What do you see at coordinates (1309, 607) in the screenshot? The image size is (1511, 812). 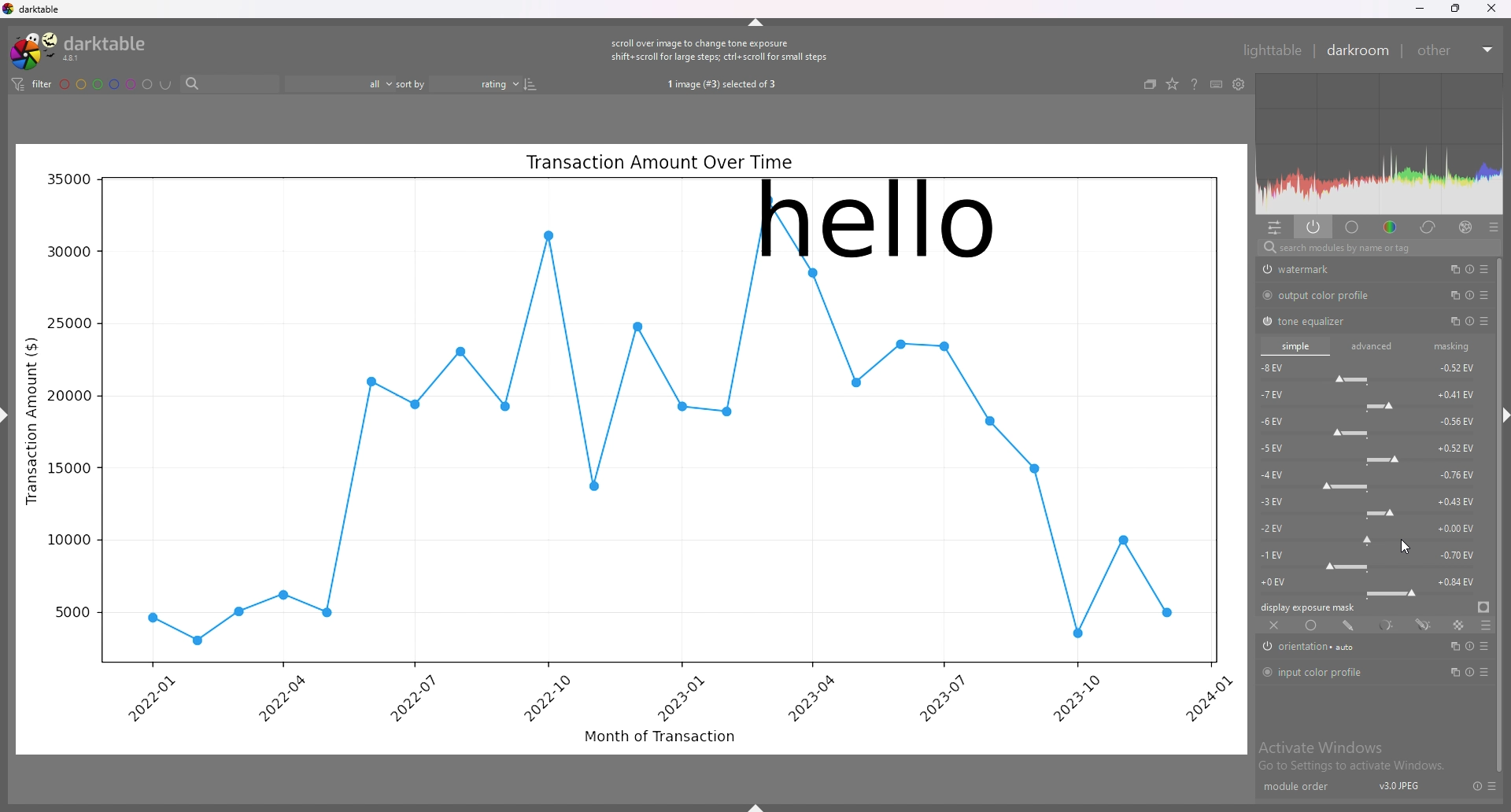 I see `display exposure mask` at bounding box center [1309, 607].